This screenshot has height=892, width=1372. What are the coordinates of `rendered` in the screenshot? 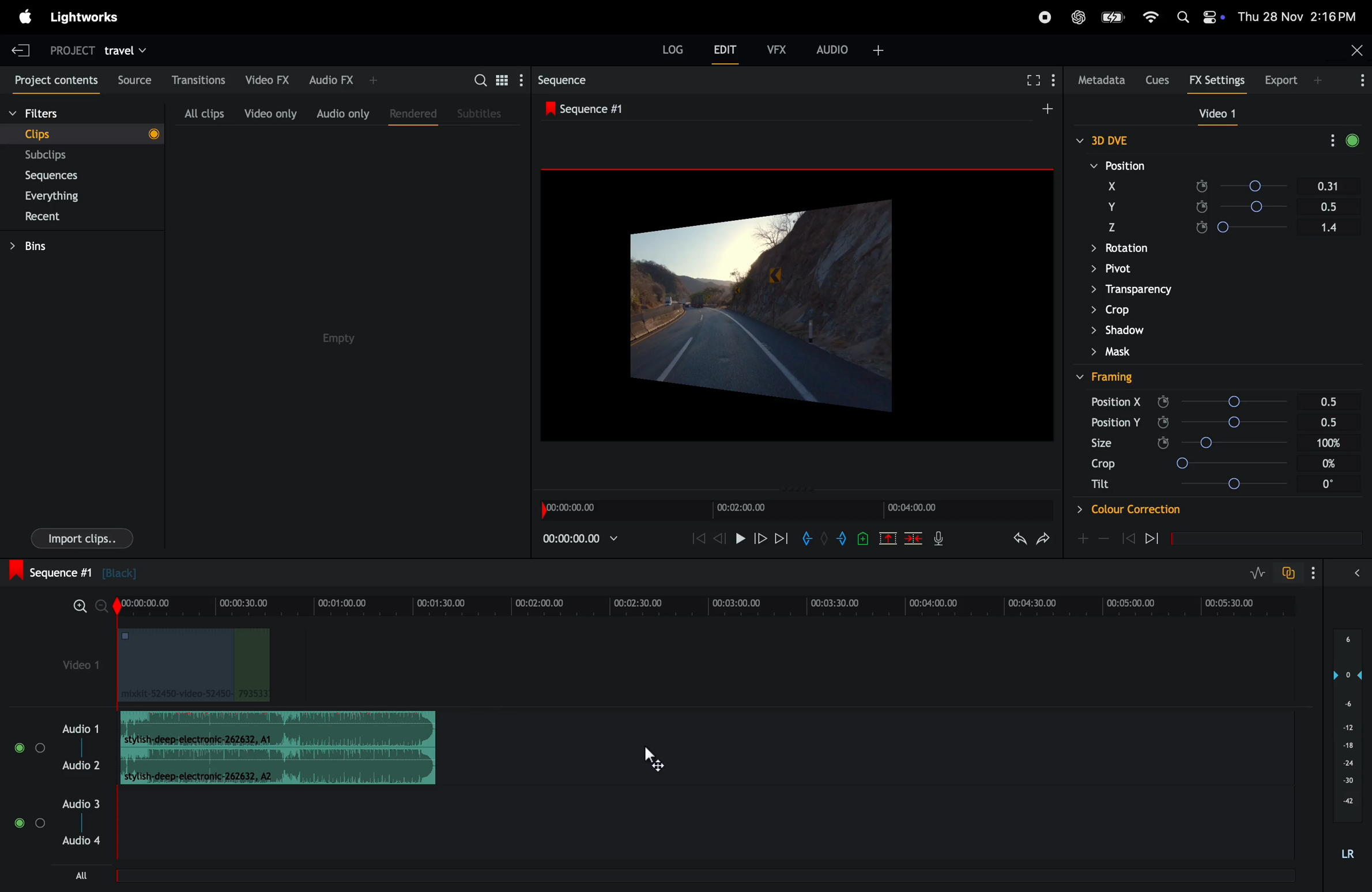 It's located at (409, 111).